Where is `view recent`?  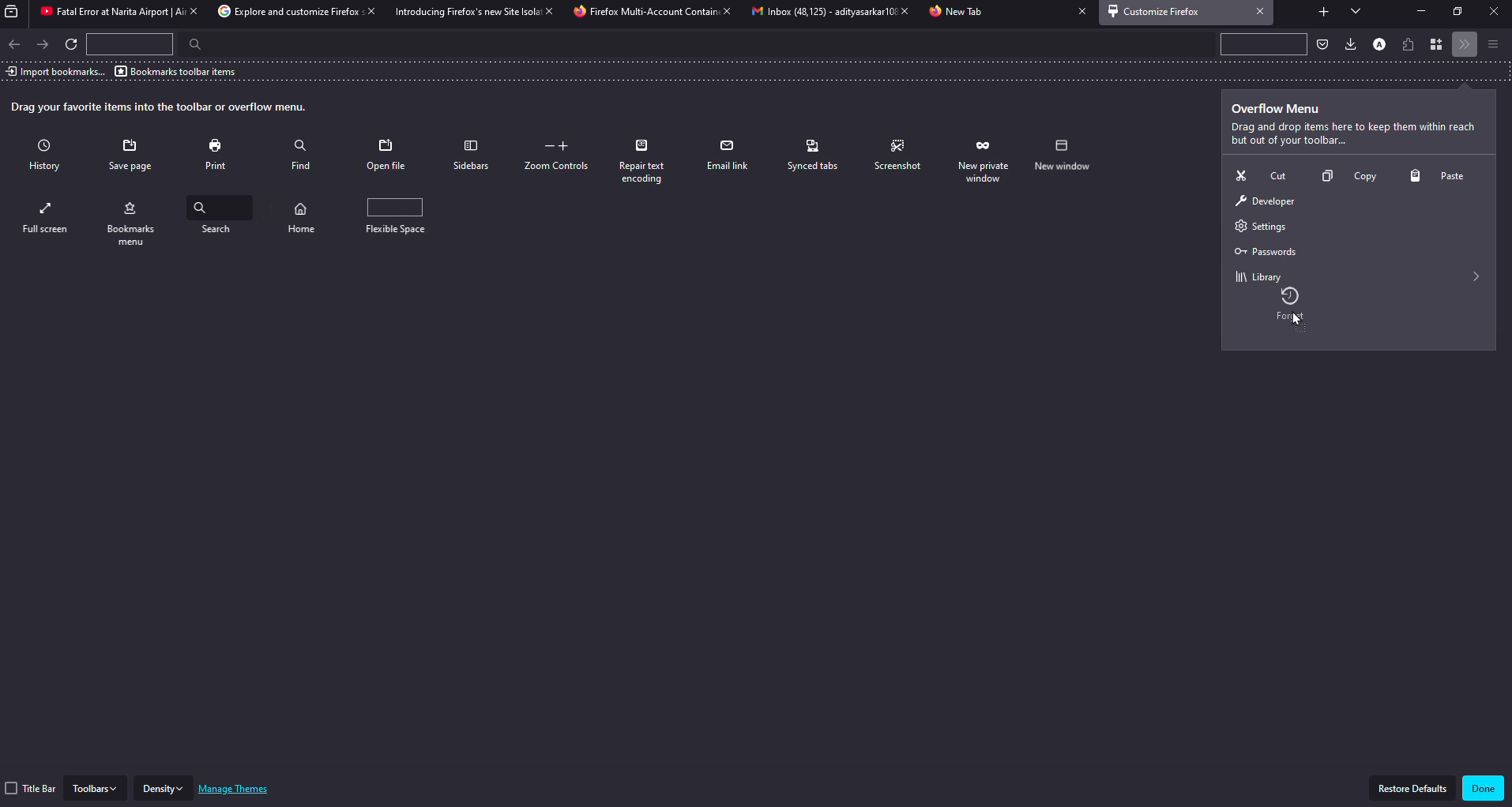
view recent is located at coordinates (14, 12).